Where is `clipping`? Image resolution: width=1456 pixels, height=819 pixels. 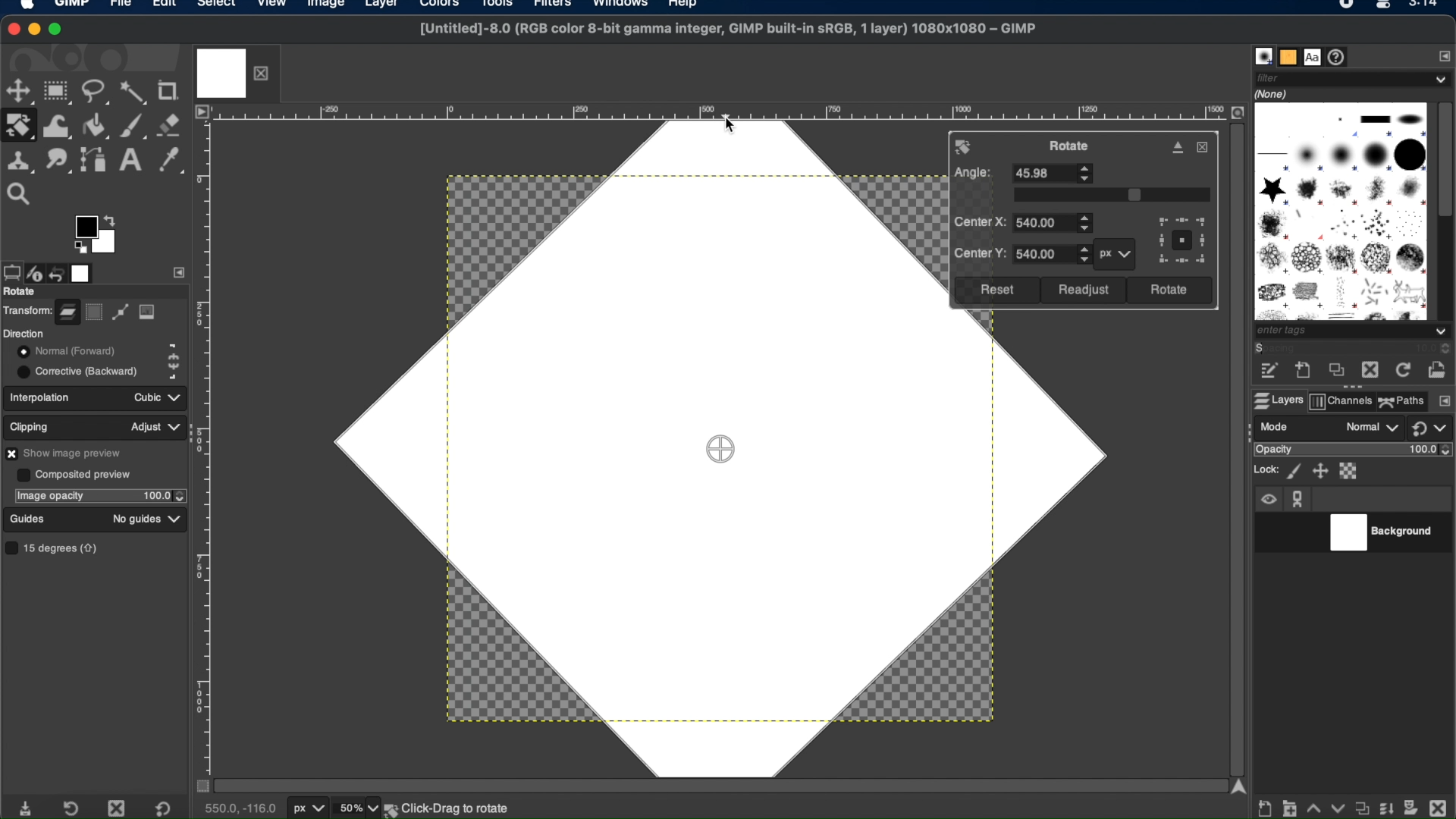
clipping is located at coordinates (32, 425).